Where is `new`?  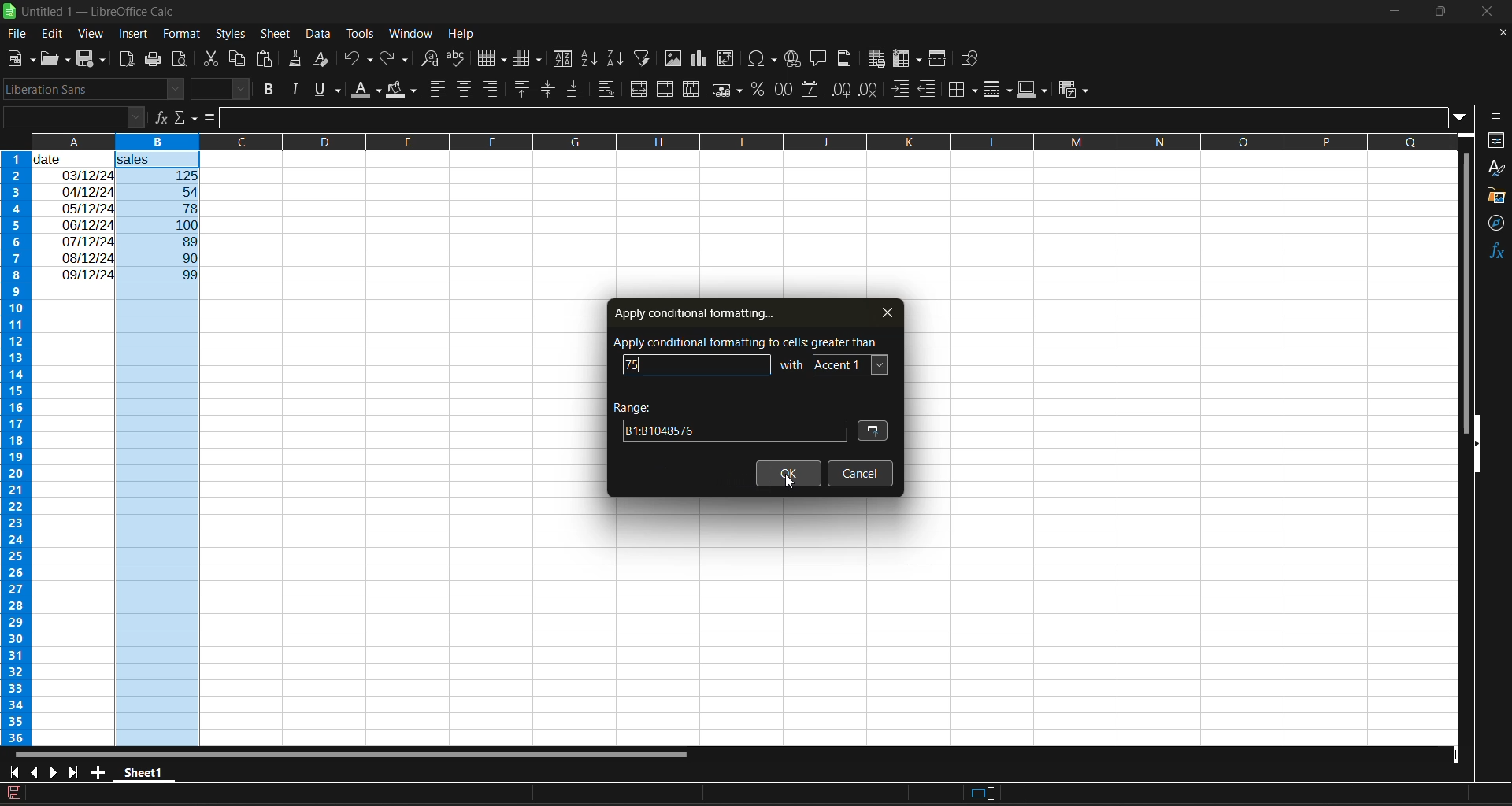
new is located at coordinates (18, 59).